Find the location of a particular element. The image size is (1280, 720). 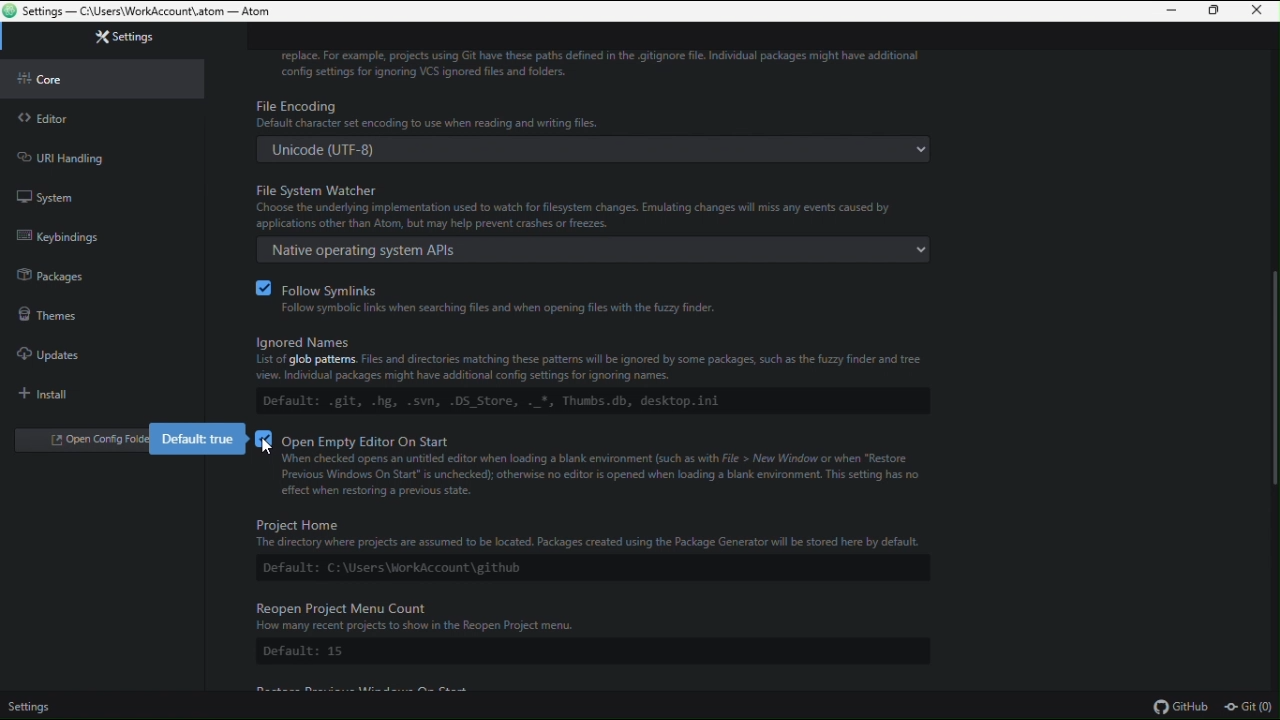

checkbox is located at coordinates (260, 288).